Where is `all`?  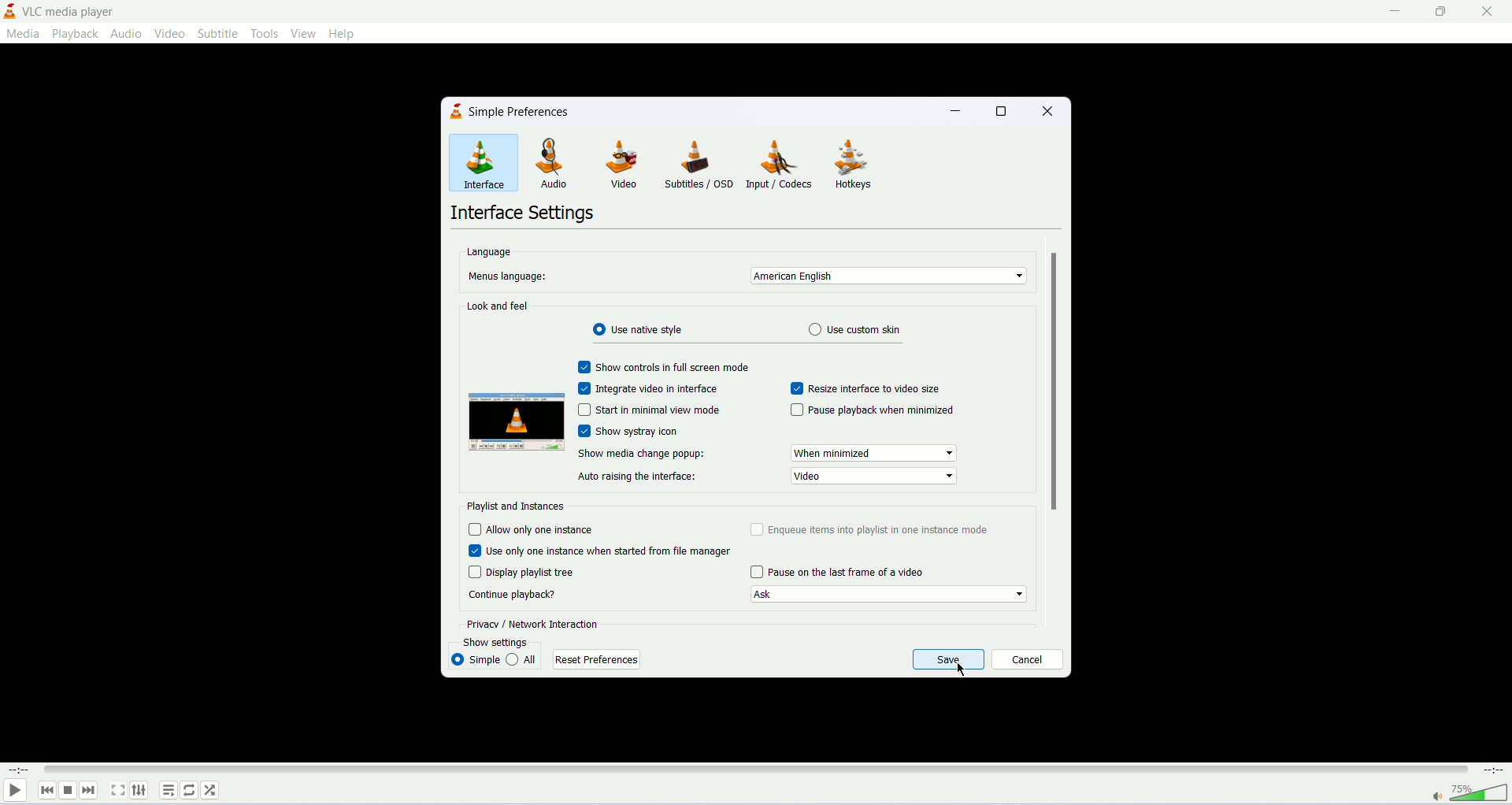 all is located at coordinates (522, 658).